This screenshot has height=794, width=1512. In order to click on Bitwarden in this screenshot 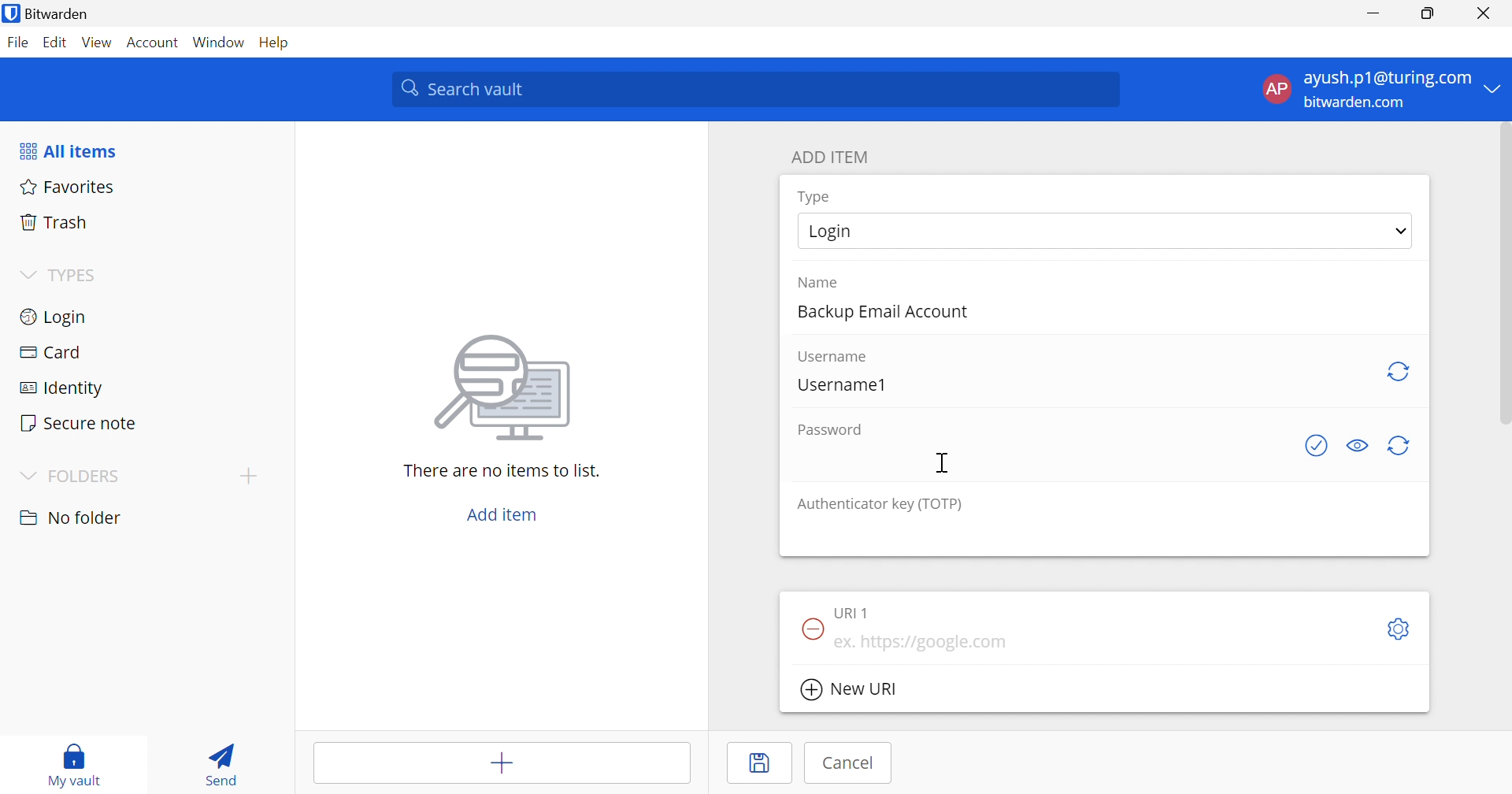, I will do `click(57, 13)`.